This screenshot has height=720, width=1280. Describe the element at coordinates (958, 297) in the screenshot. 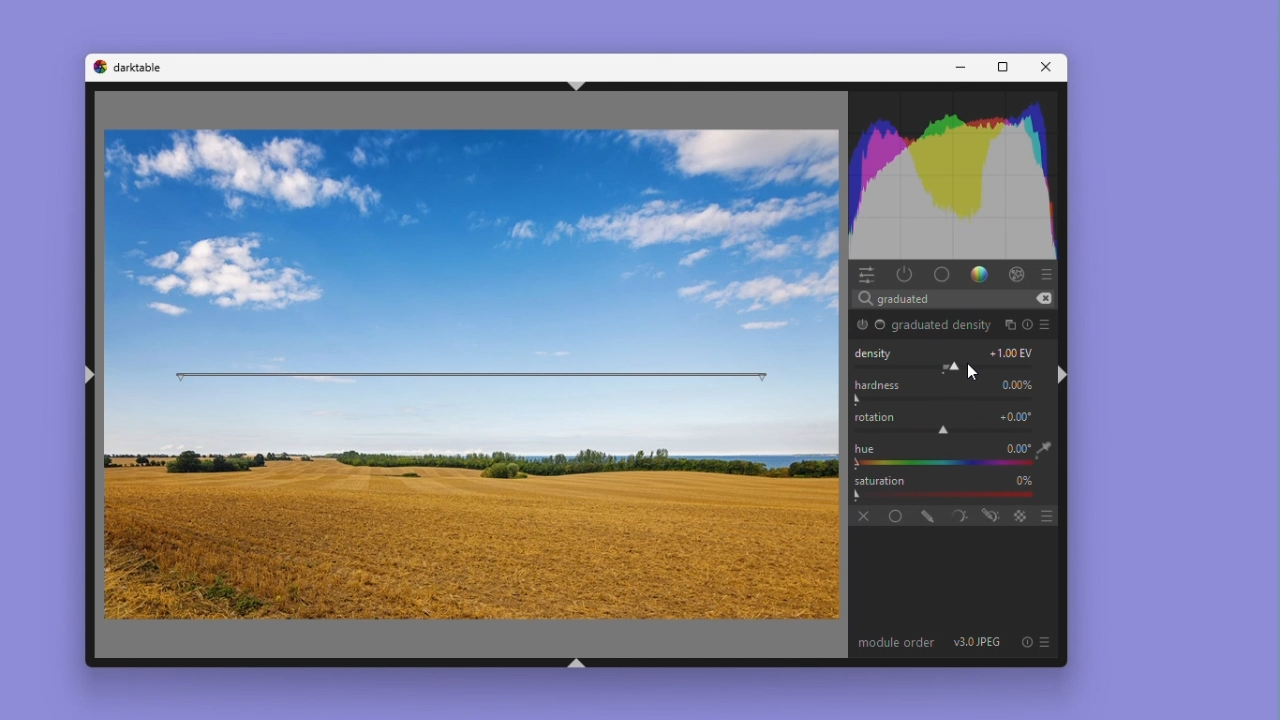

I see `Search bar` at that location.